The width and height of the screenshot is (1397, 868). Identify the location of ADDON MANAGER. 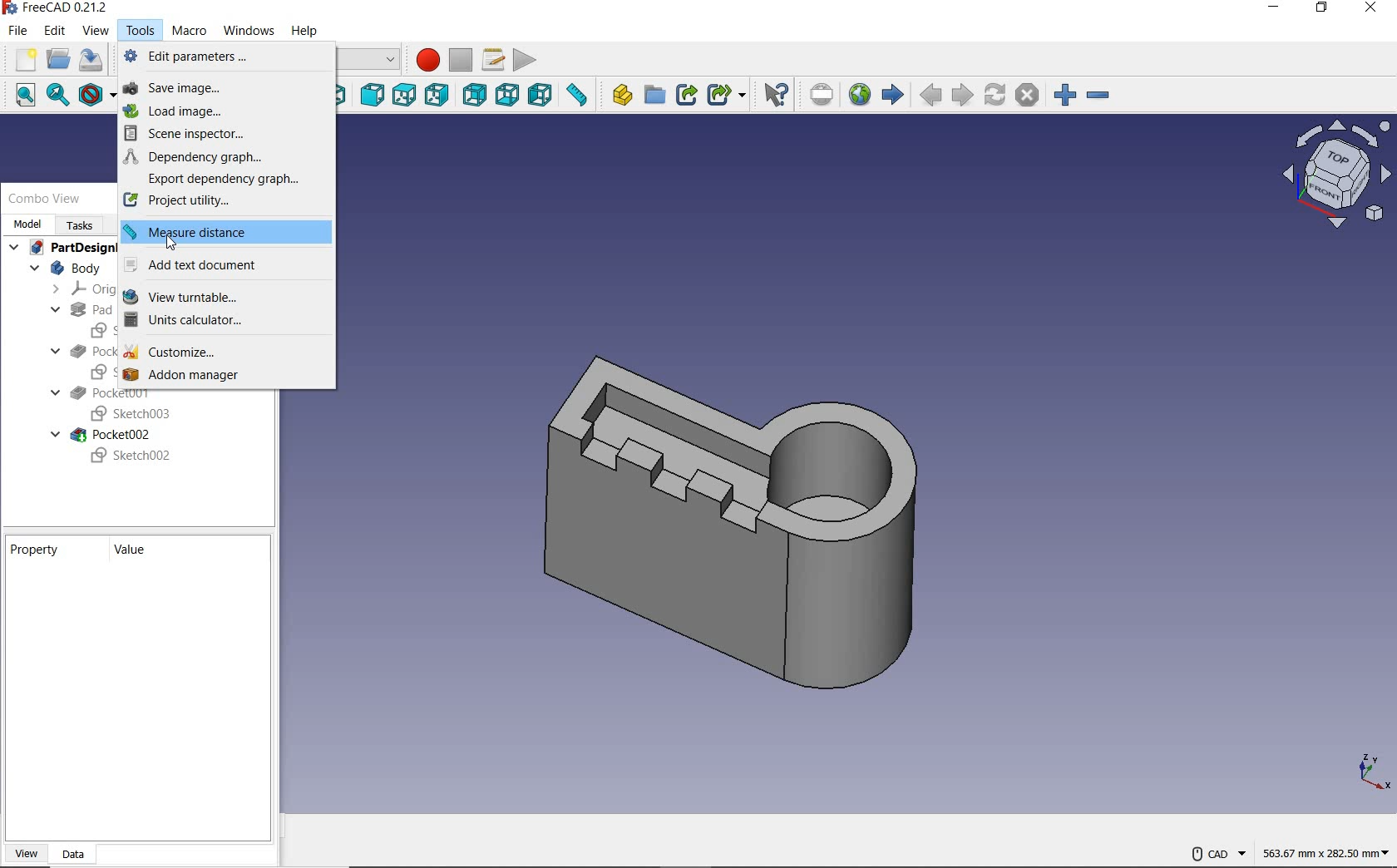
(224, 375).